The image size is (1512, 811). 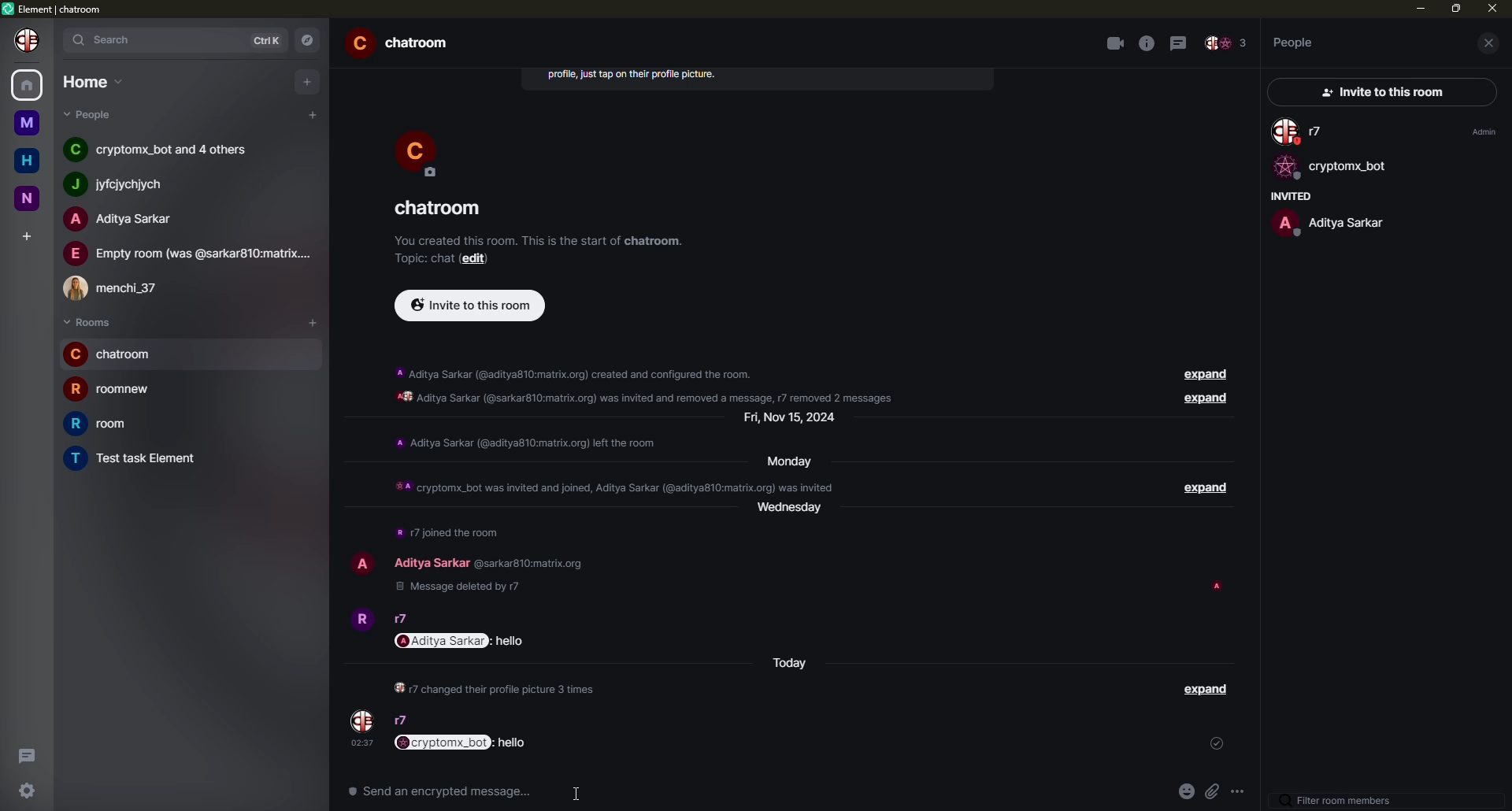 What do you see at coordinates (1210, 789) in the screenshot?
I see `options` at bounding box center [1210, 789].